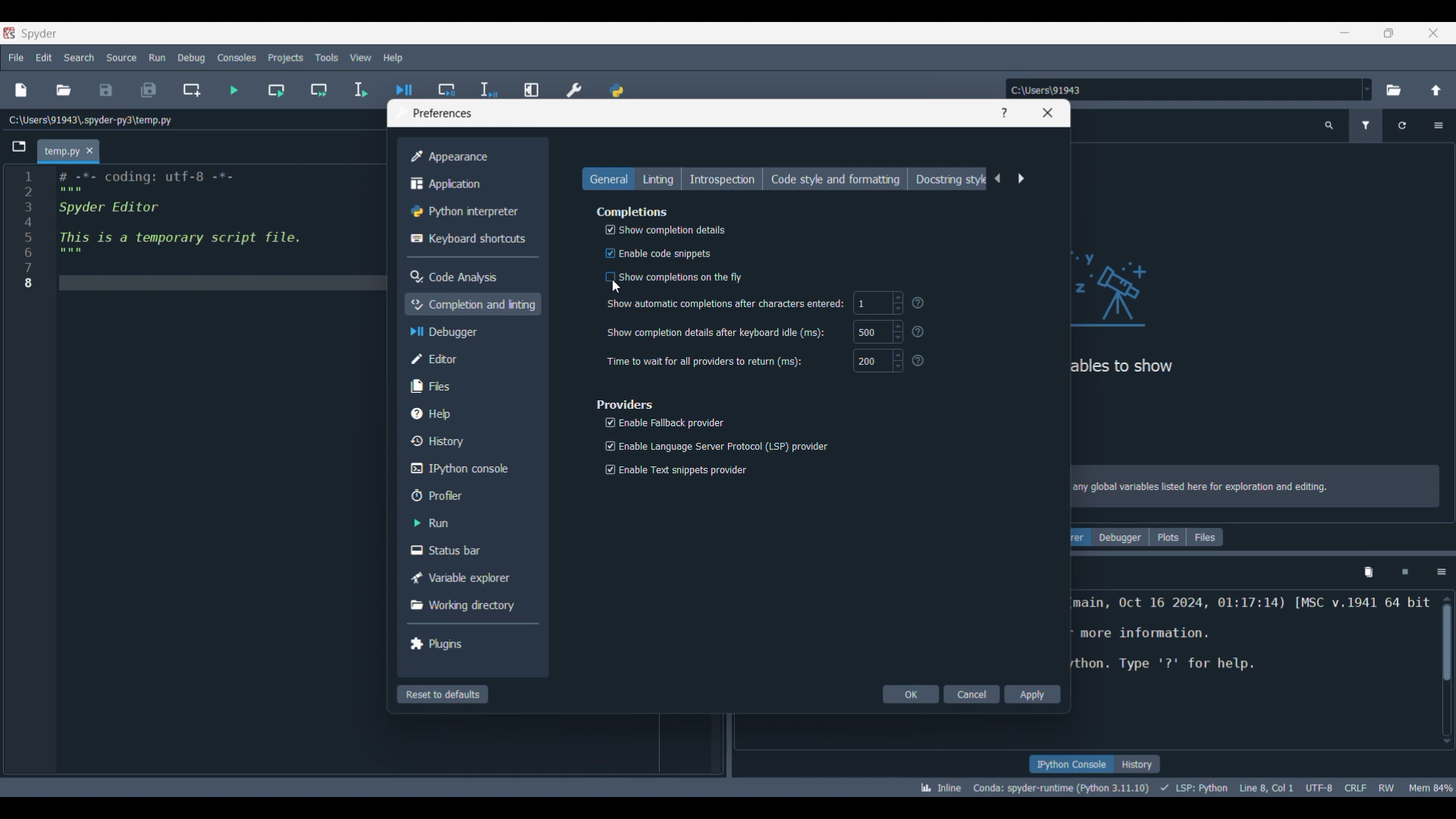 This screenshot has width=1456, height=819. I want to click on File menu, so click(16, 58).